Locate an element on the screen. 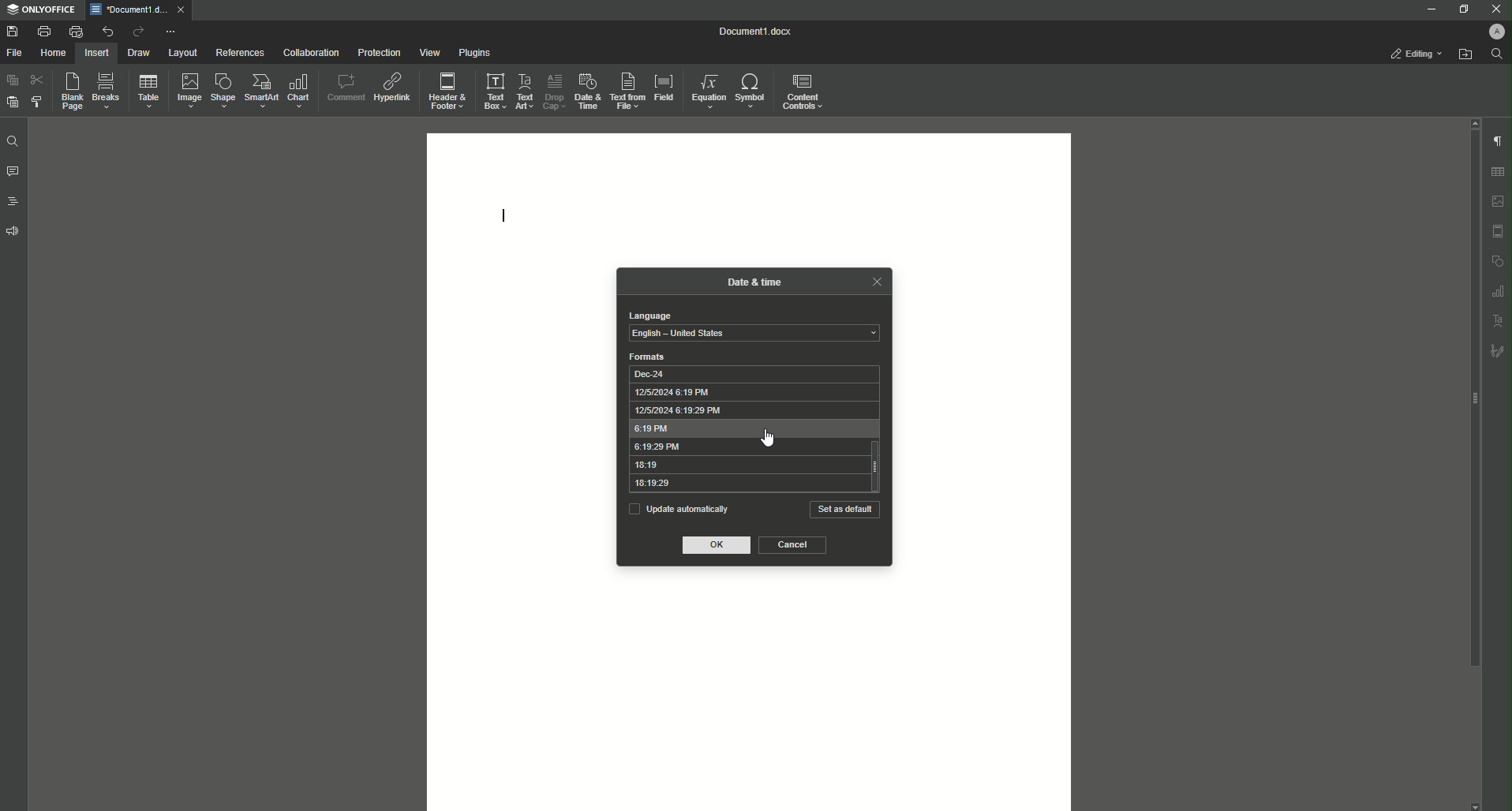 Image resolution: width=1512 pixels, height=811 pixels. date & time is located at coordinates (755, 280).